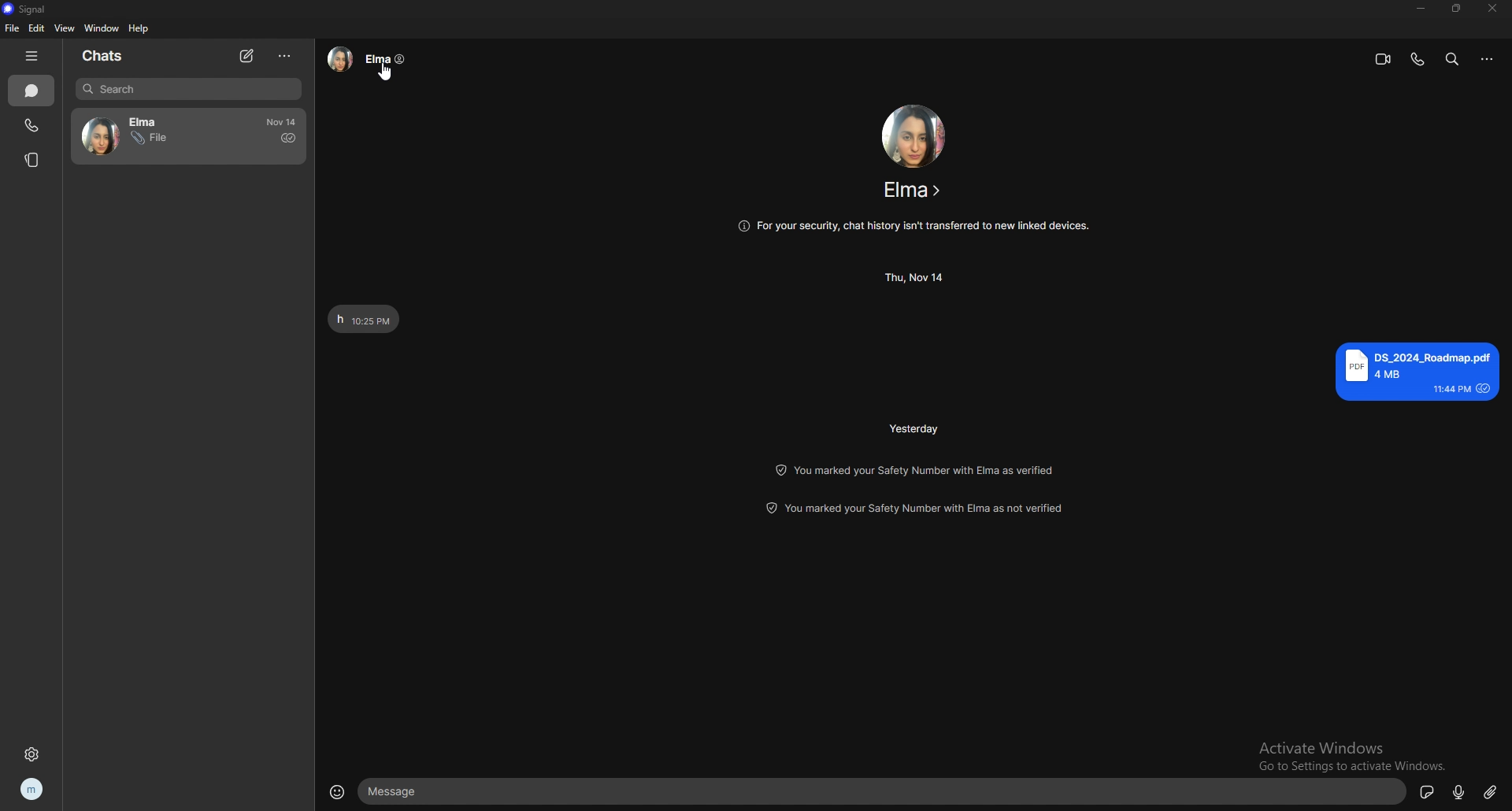  I want to click on delivered, so click(287, 138).